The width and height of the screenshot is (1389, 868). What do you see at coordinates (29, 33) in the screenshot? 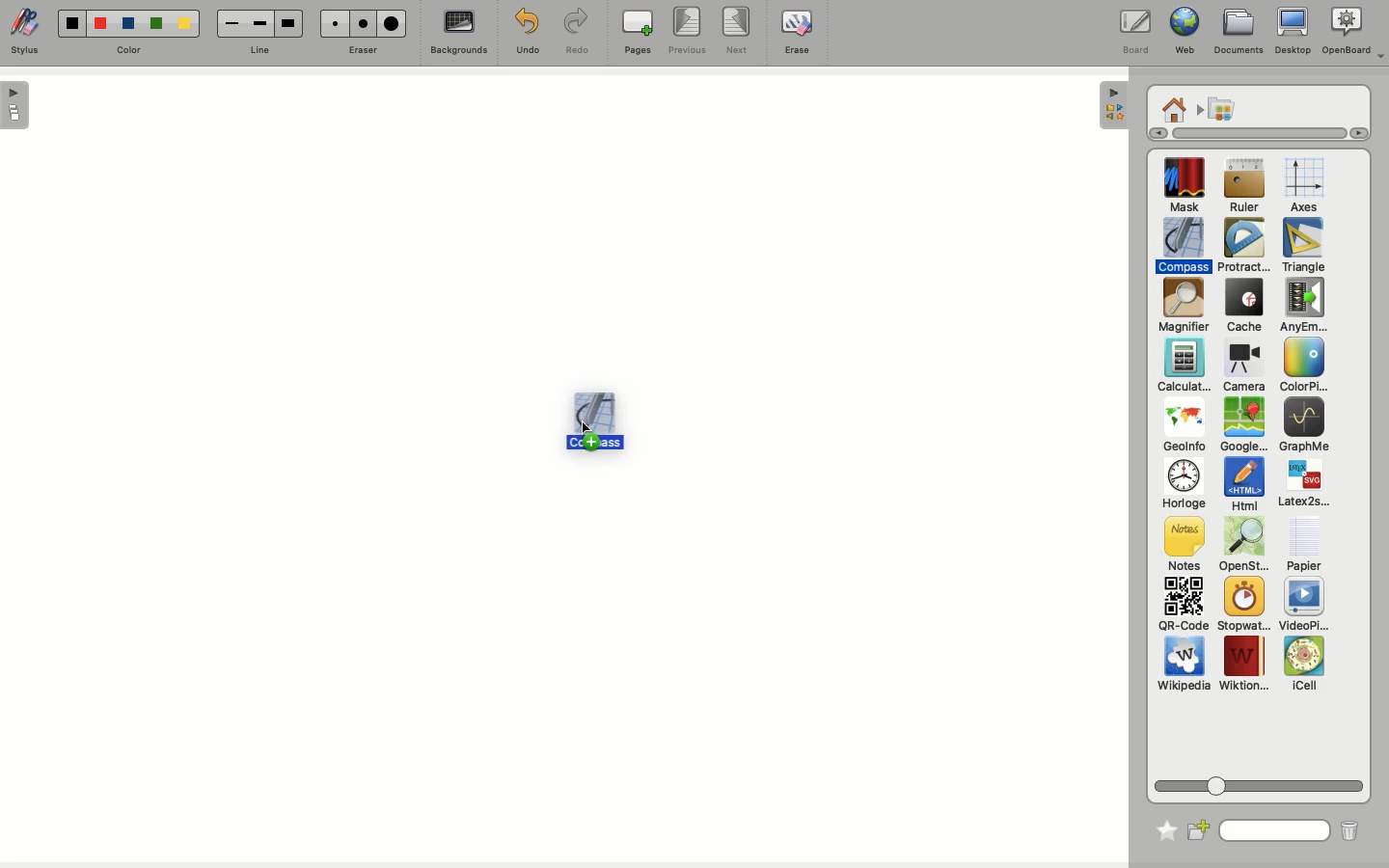
I see `Stylus` at bounding box center [29, 33].